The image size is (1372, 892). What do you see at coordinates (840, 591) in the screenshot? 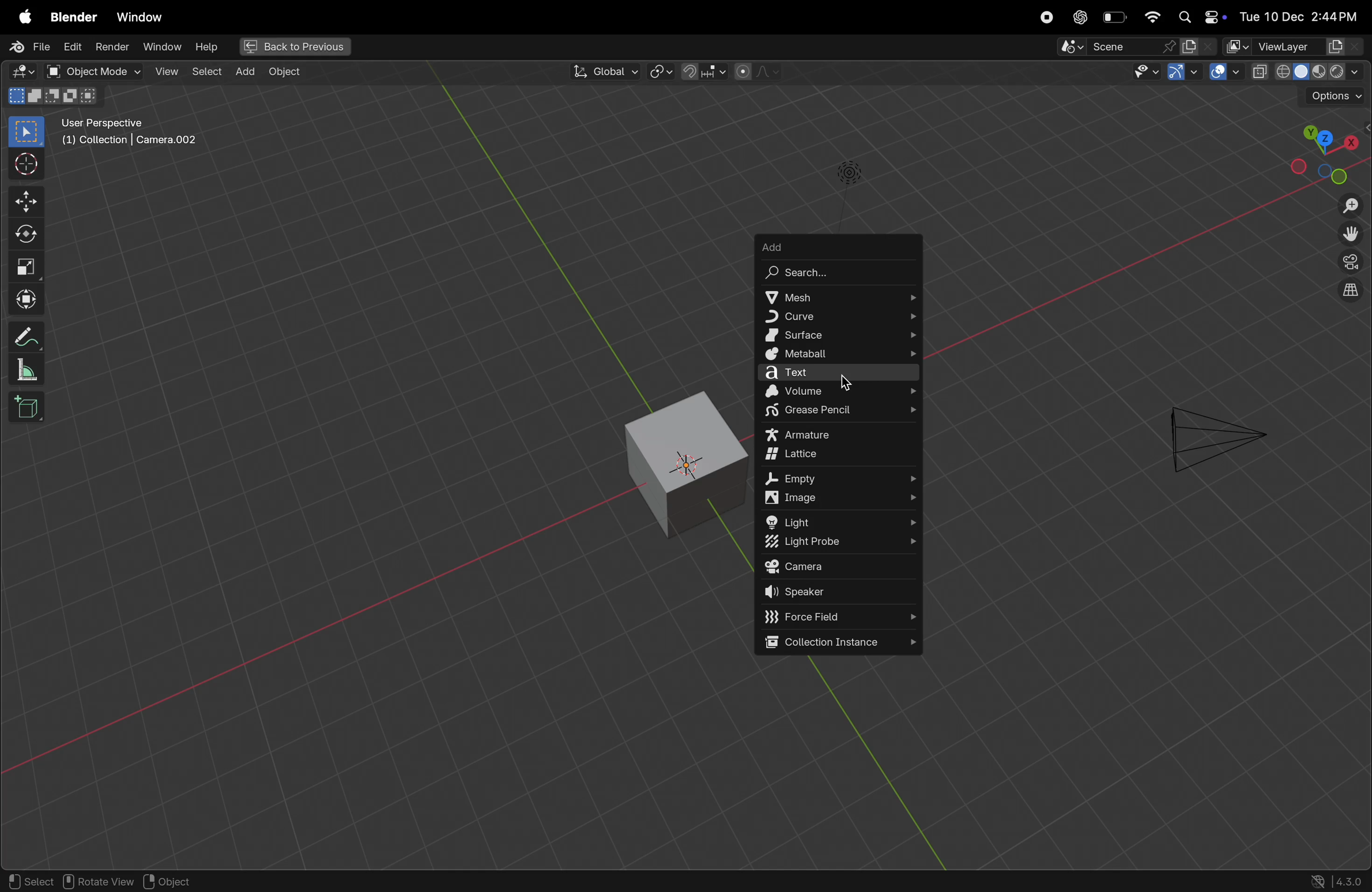
I see `speaker` at bounding box center [840, 591].